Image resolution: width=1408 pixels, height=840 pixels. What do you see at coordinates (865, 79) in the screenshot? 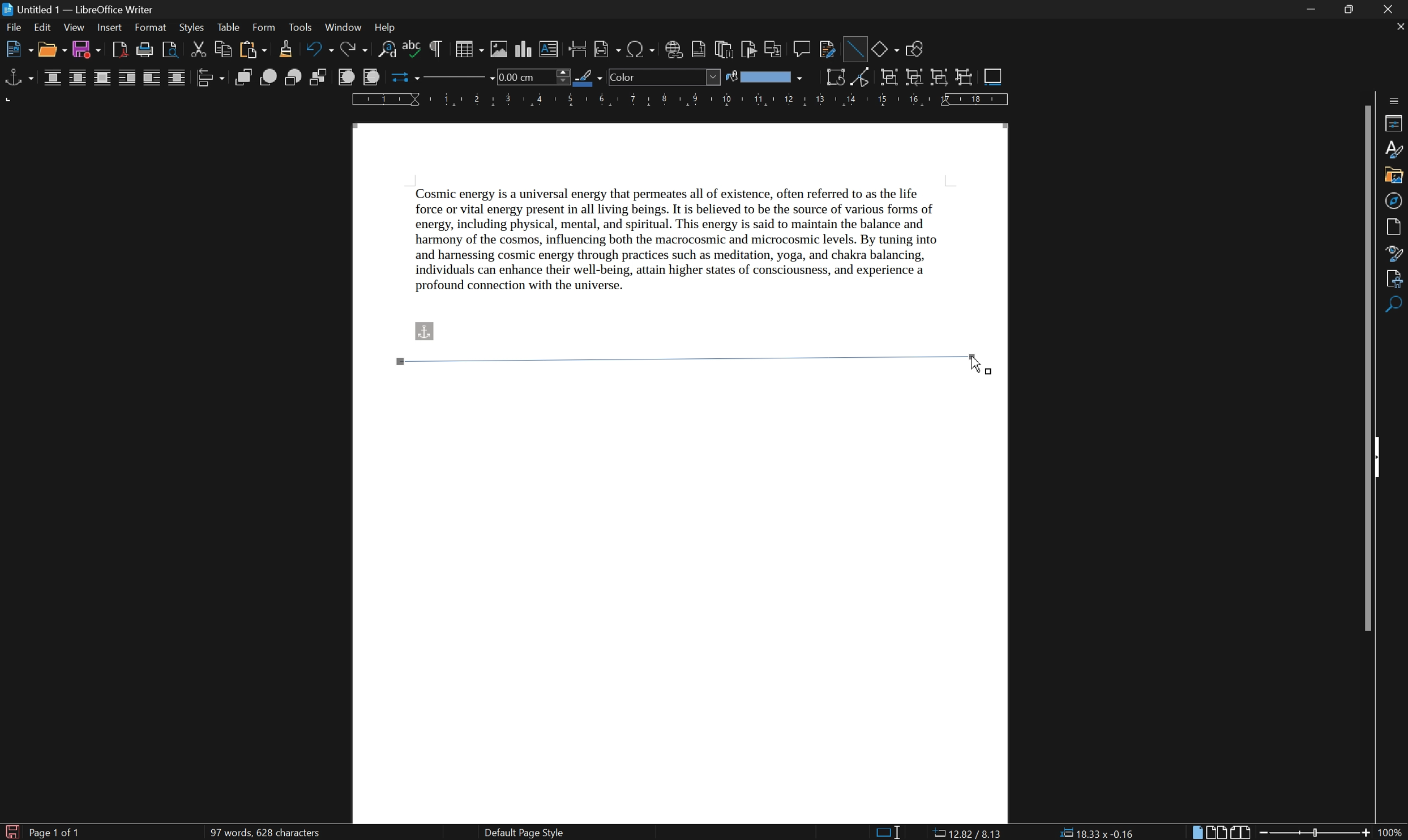
I see `toggle point edit mode` at bounding box center [865, 79].